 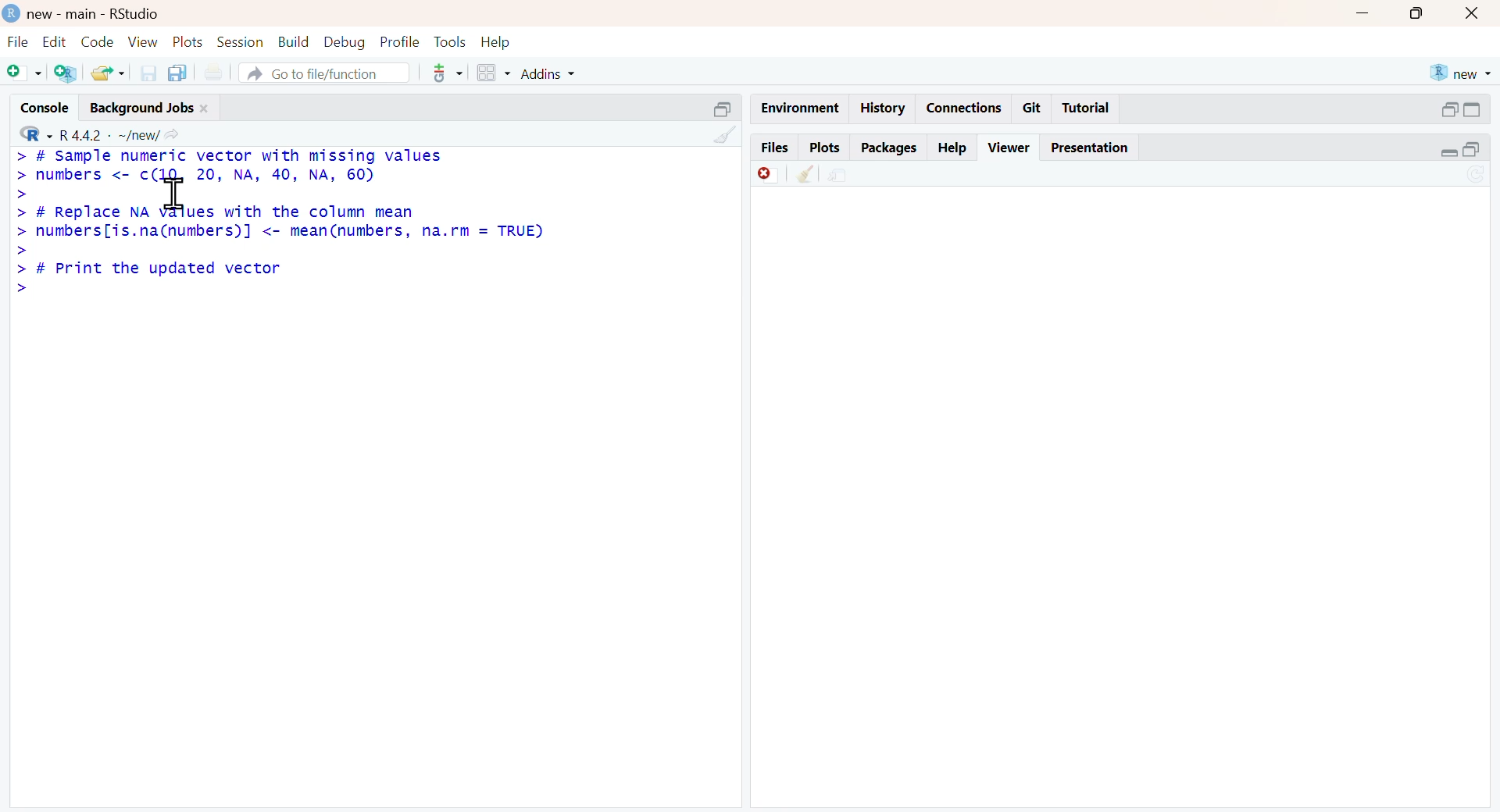 I want to click on share folder, so click(x=110, y=73).